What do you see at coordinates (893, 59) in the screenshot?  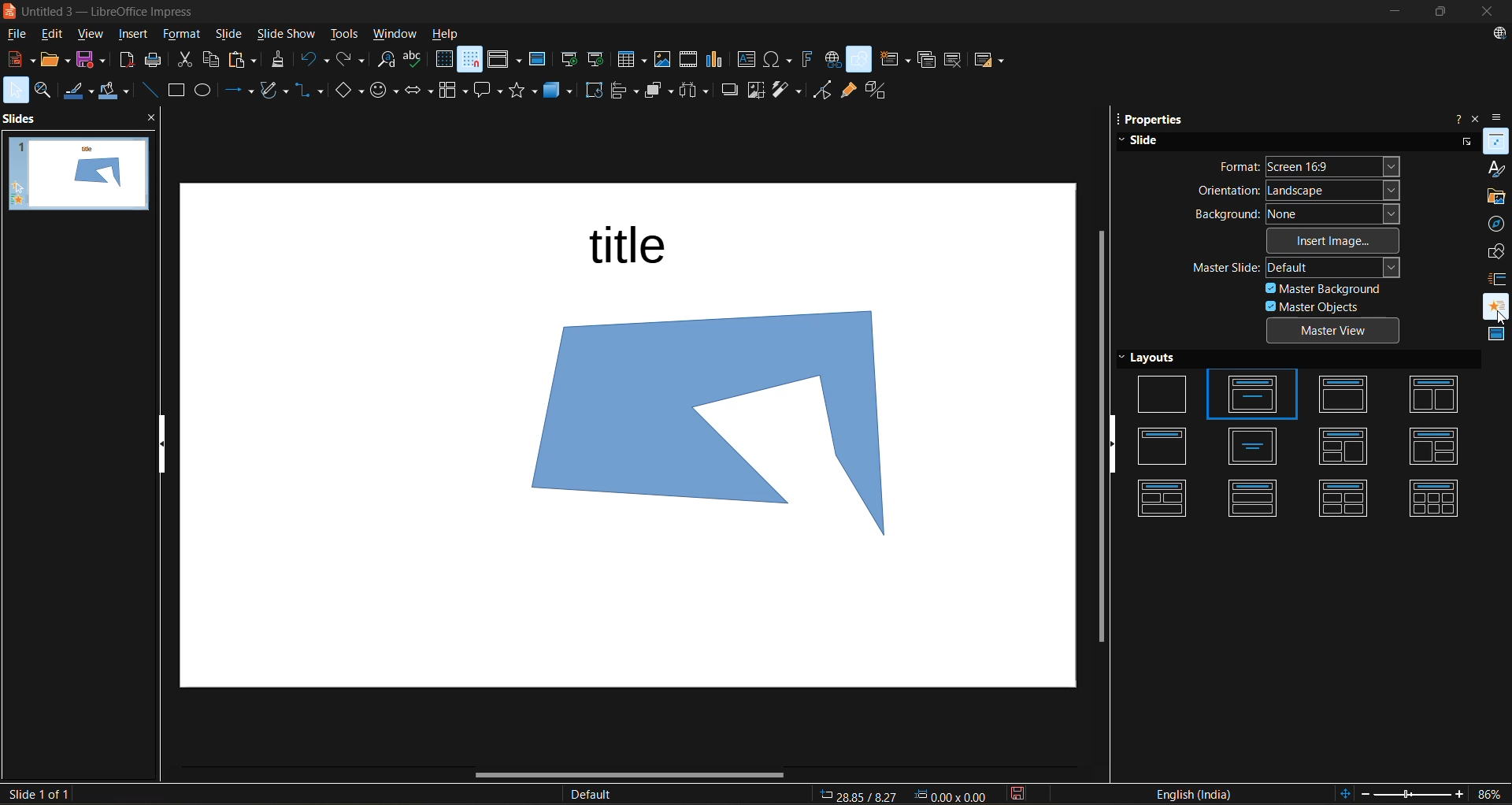 I see `new slide` at bounding box center [893, 59].